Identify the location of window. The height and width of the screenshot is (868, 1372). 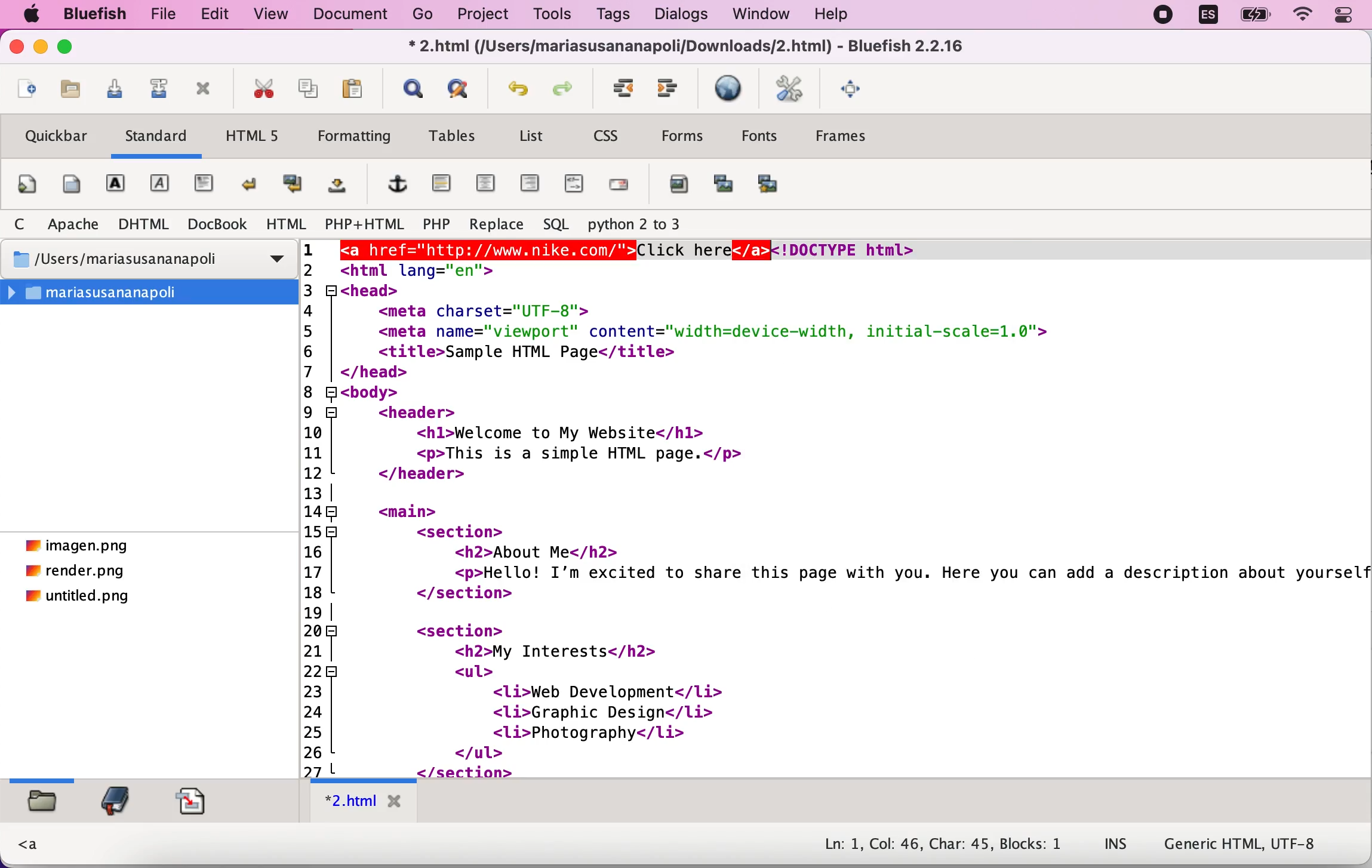
(762, 16).